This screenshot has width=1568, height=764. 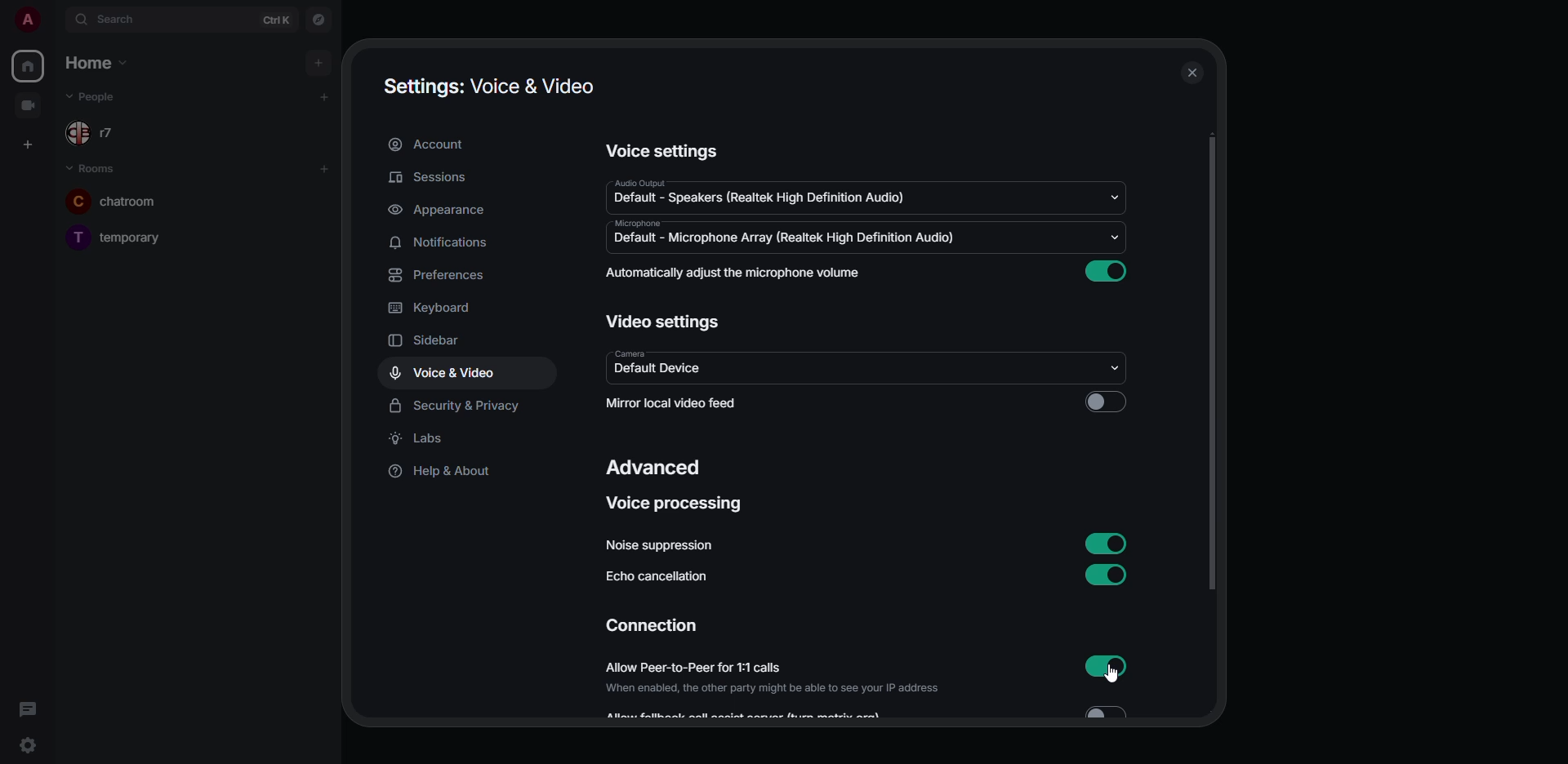 I want to click on default, so click(x=763, y=199).